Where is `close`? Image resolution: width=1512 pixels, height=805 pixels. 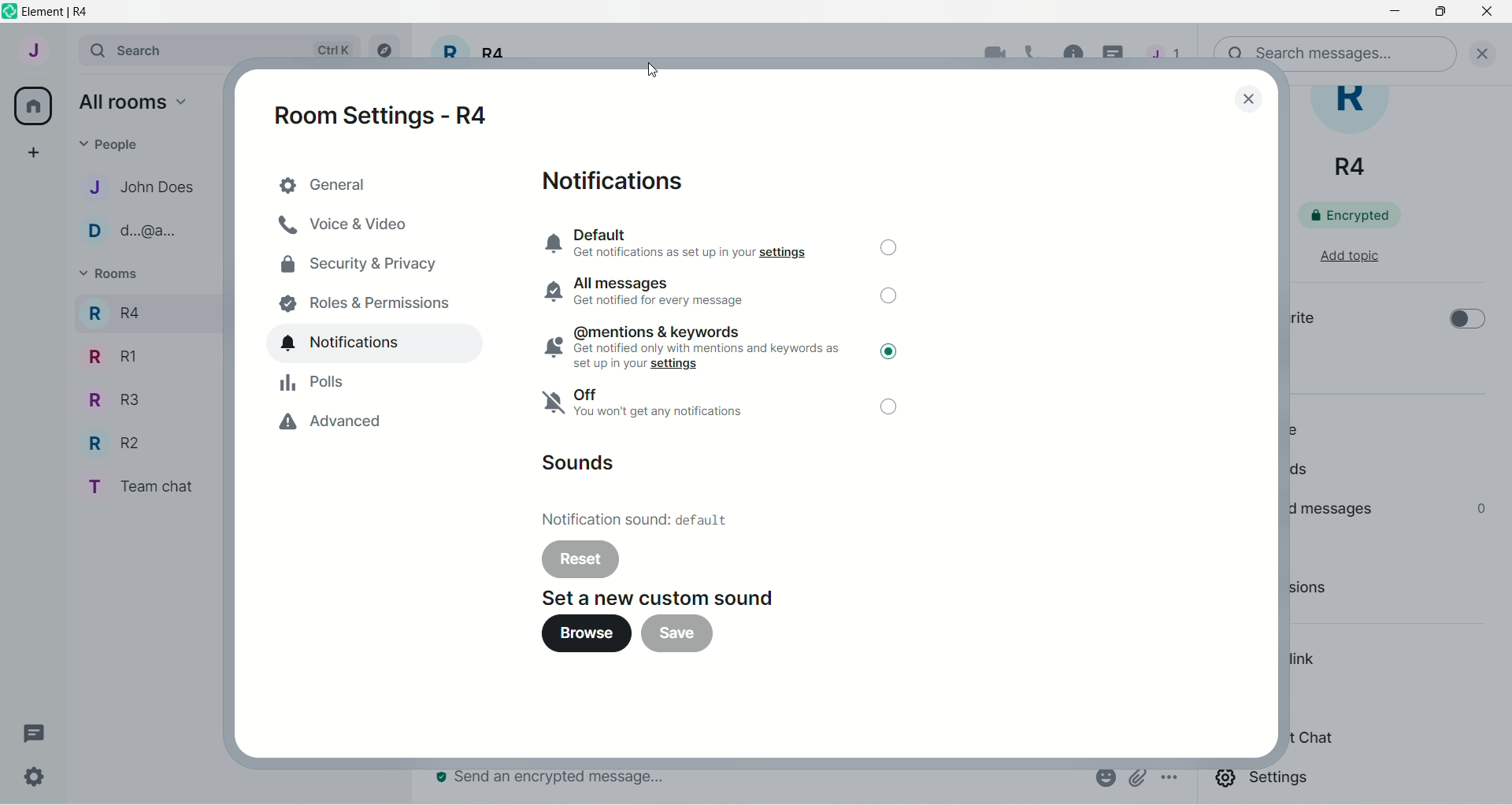
close is located at coordinates (1246, 98).